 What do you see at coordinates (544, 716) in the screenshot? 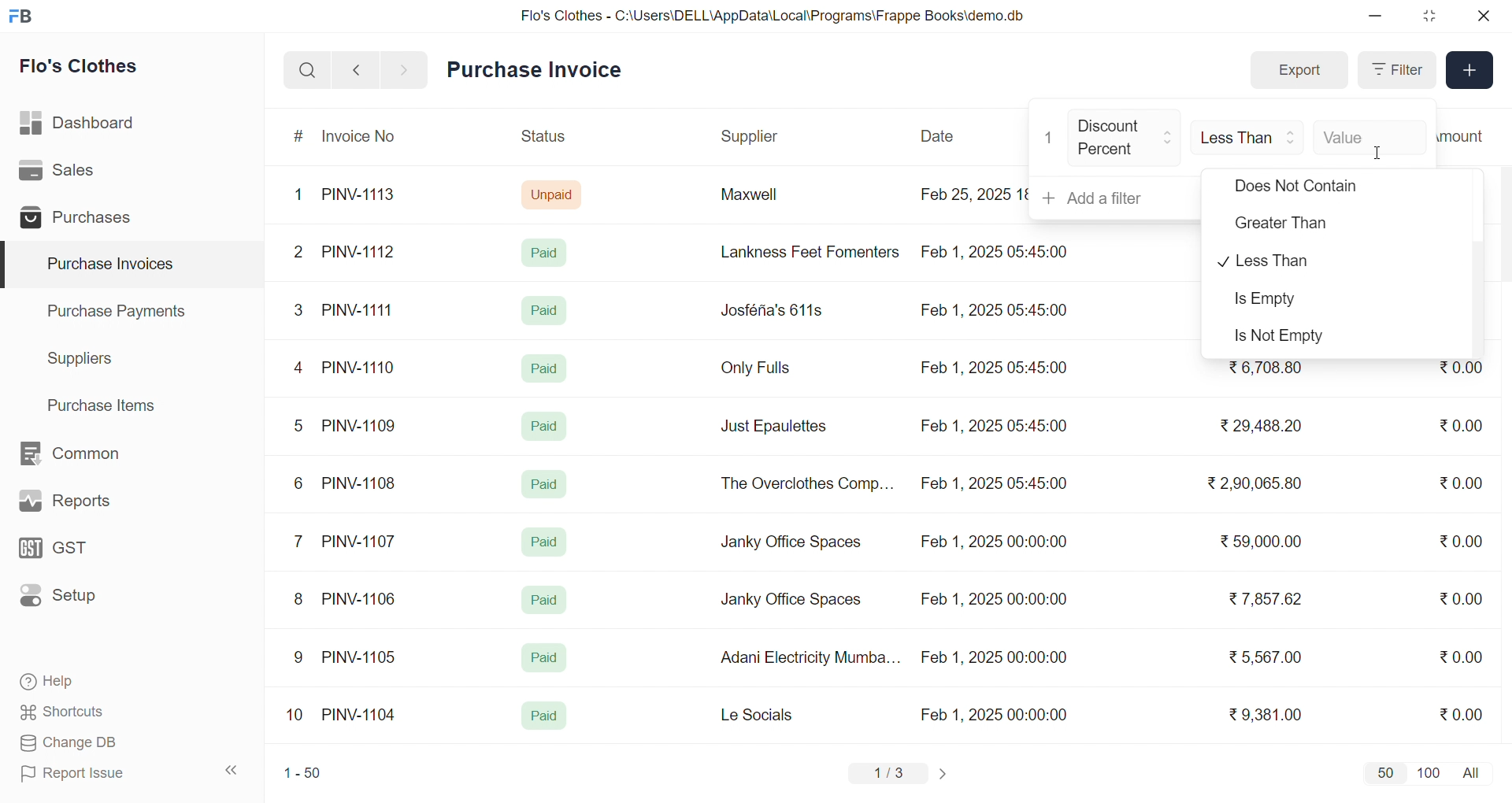
I see `Paid` at bounding box center [544, 716].